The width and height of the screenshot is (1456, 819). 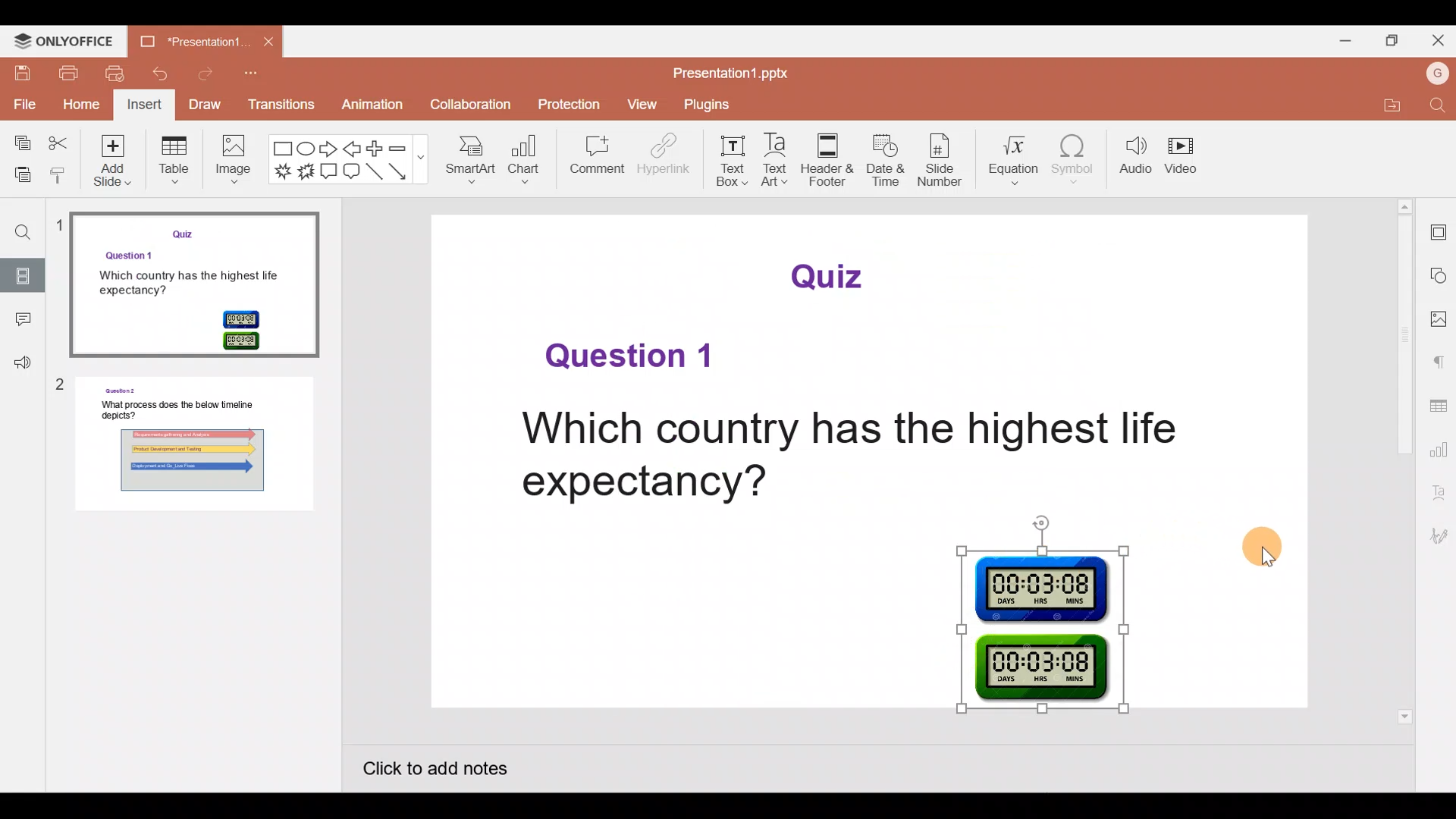 I want to click on Right arrow, so click(x=331, y=150).